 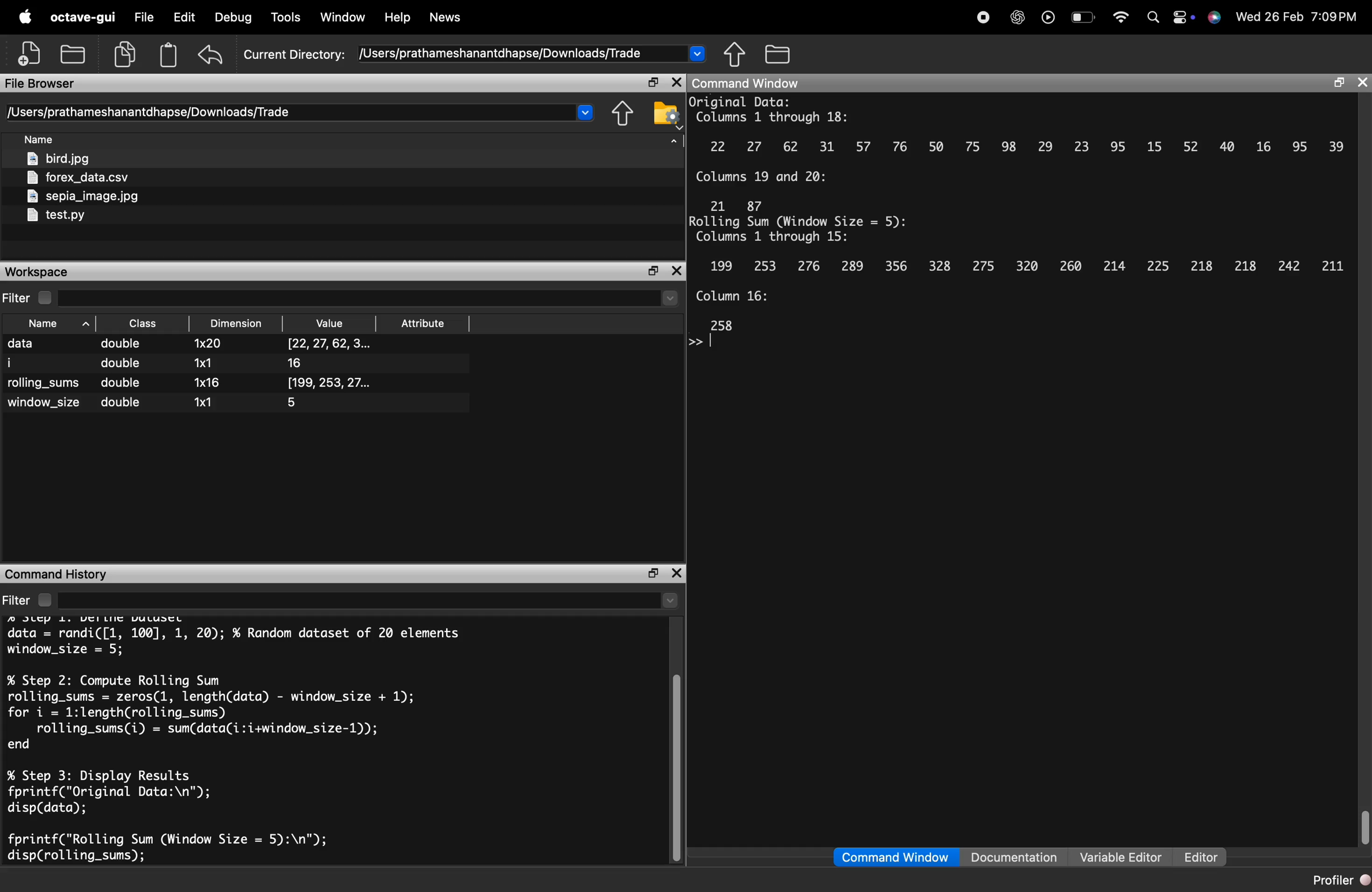 What do you see at coordinates (43, 140) in the screenshot?
I see `sort by name` at bounding box center [43, 140].